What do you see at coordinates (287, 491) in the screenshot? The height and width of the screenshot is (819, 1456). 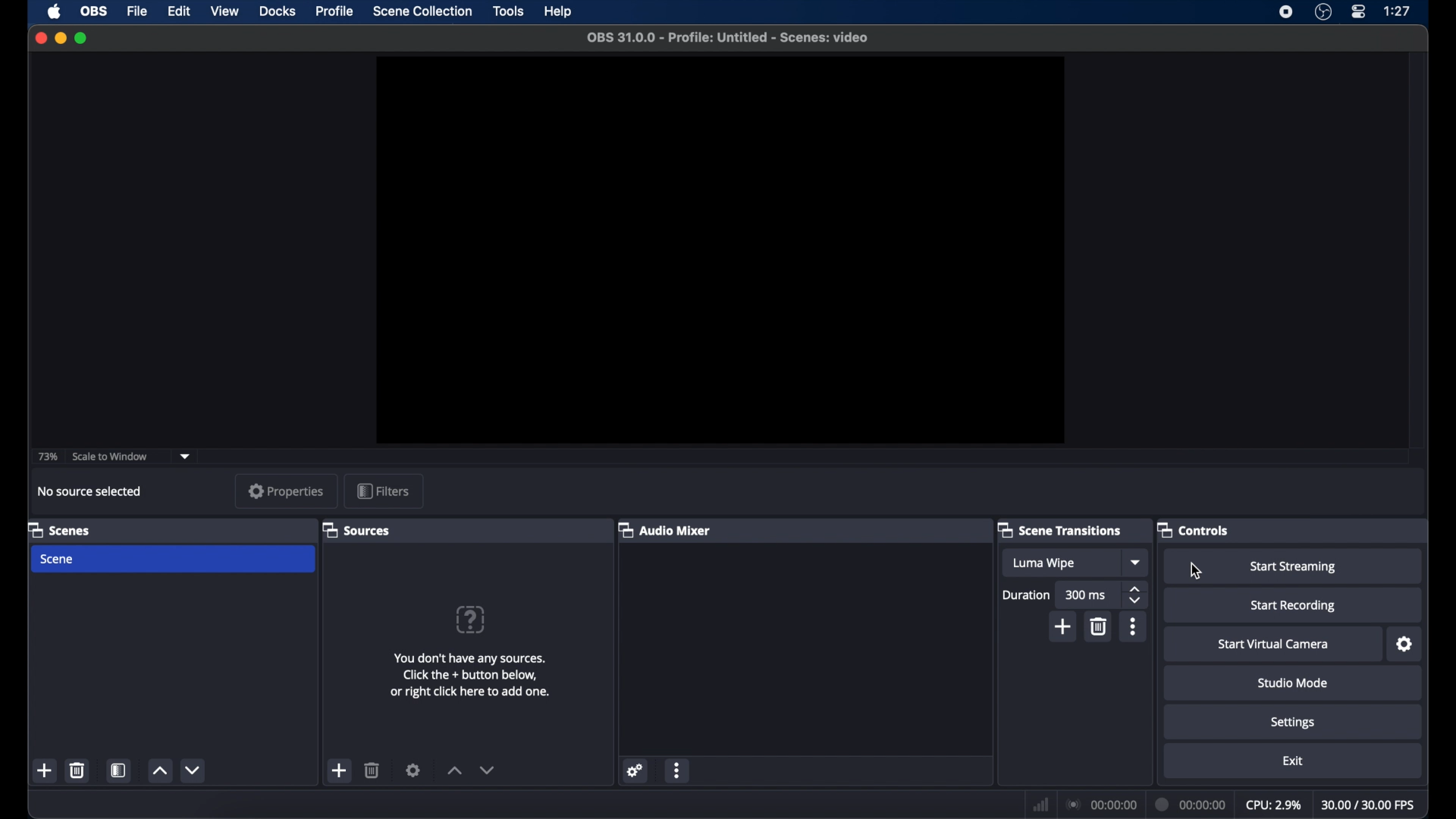 I see `properties` at bounding box center [287, 491].